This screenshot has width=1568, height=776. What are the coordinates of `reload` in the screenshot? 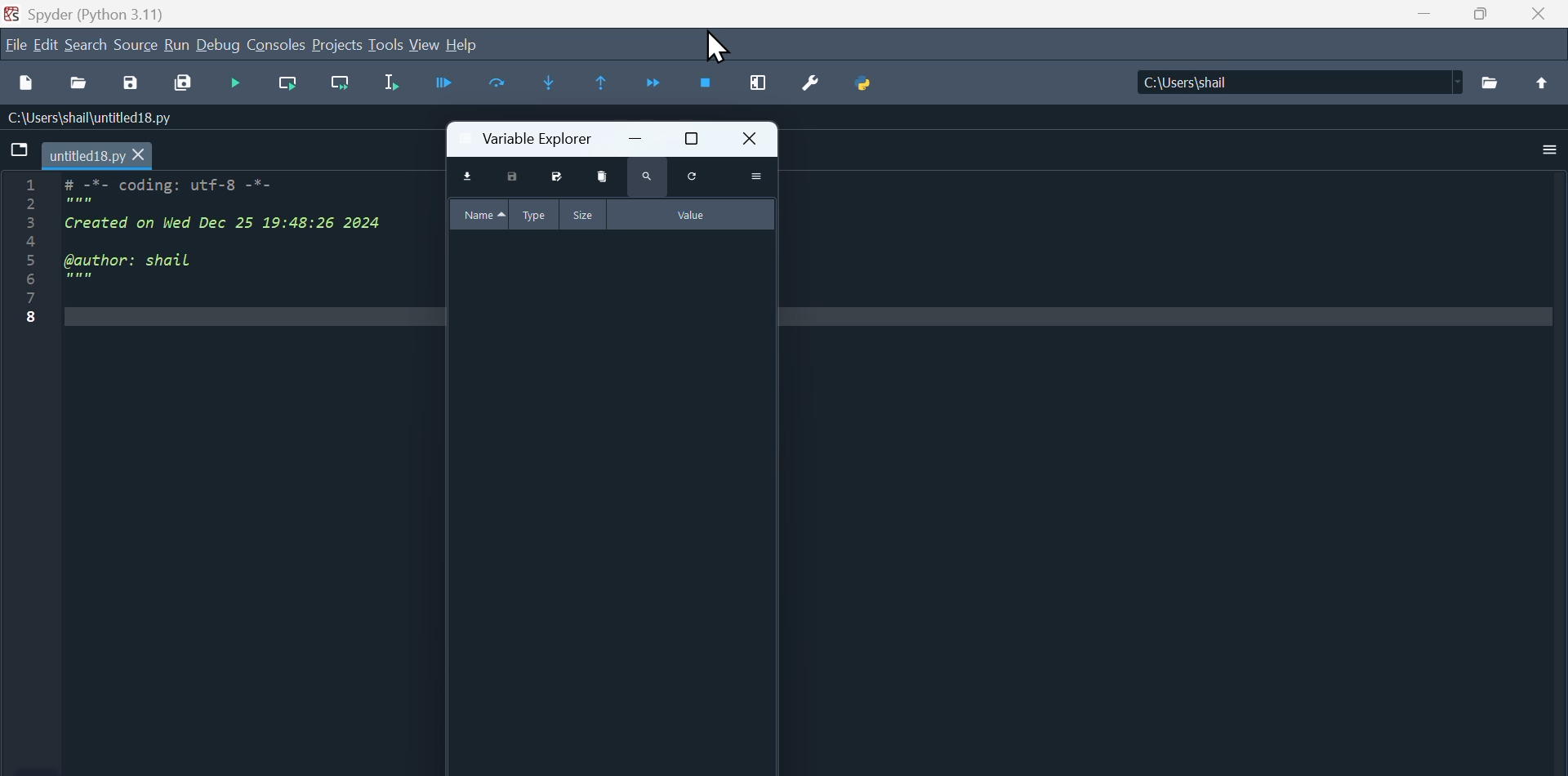 It's located at (690, 176).